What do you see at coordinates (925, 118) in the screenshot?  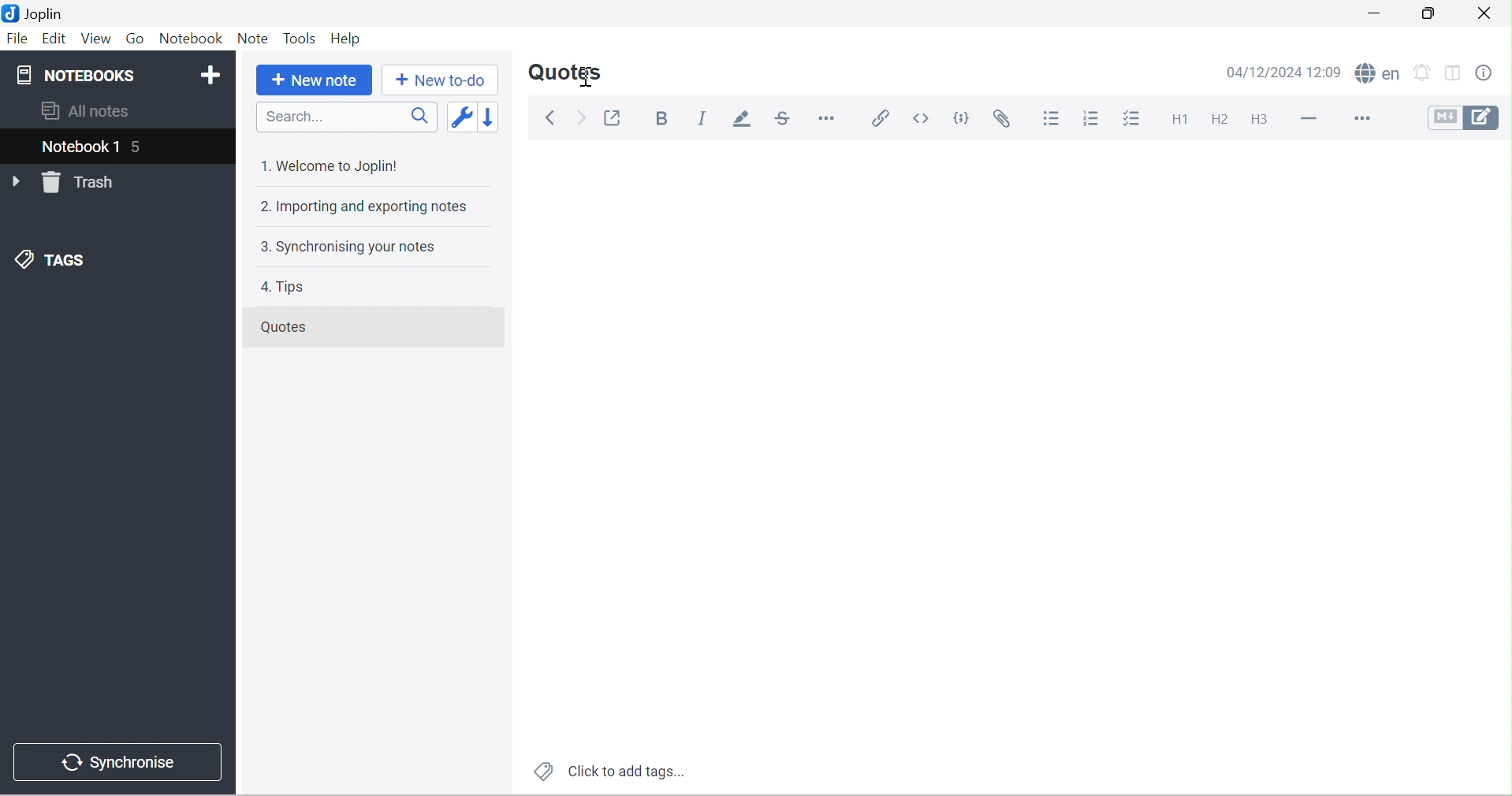 I see `Inline code` at bounding box center [925, 118].